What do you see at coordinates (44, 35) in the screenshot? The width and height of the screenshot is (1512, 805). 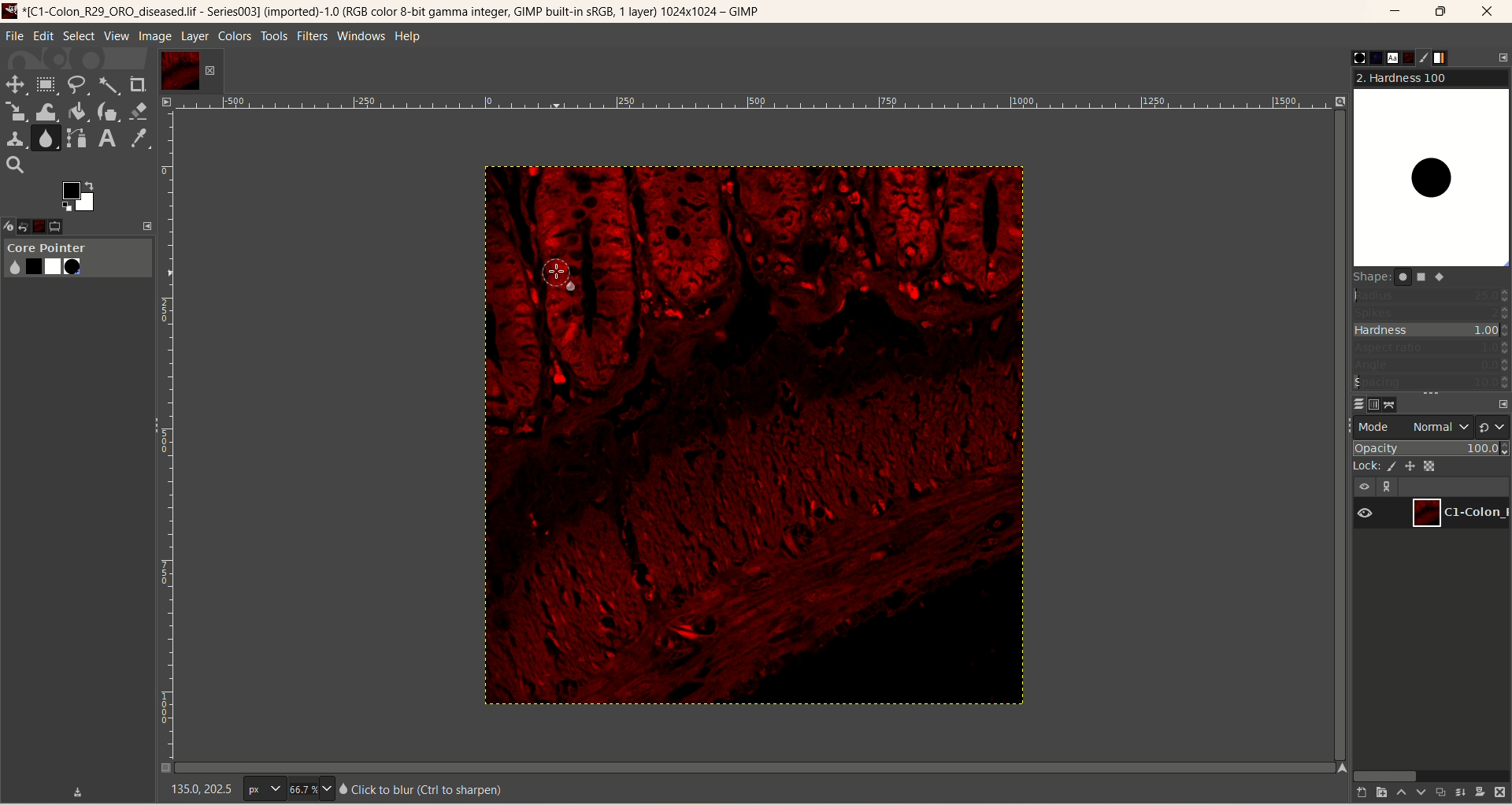 I see `edit` at bounding box center [44, 35].